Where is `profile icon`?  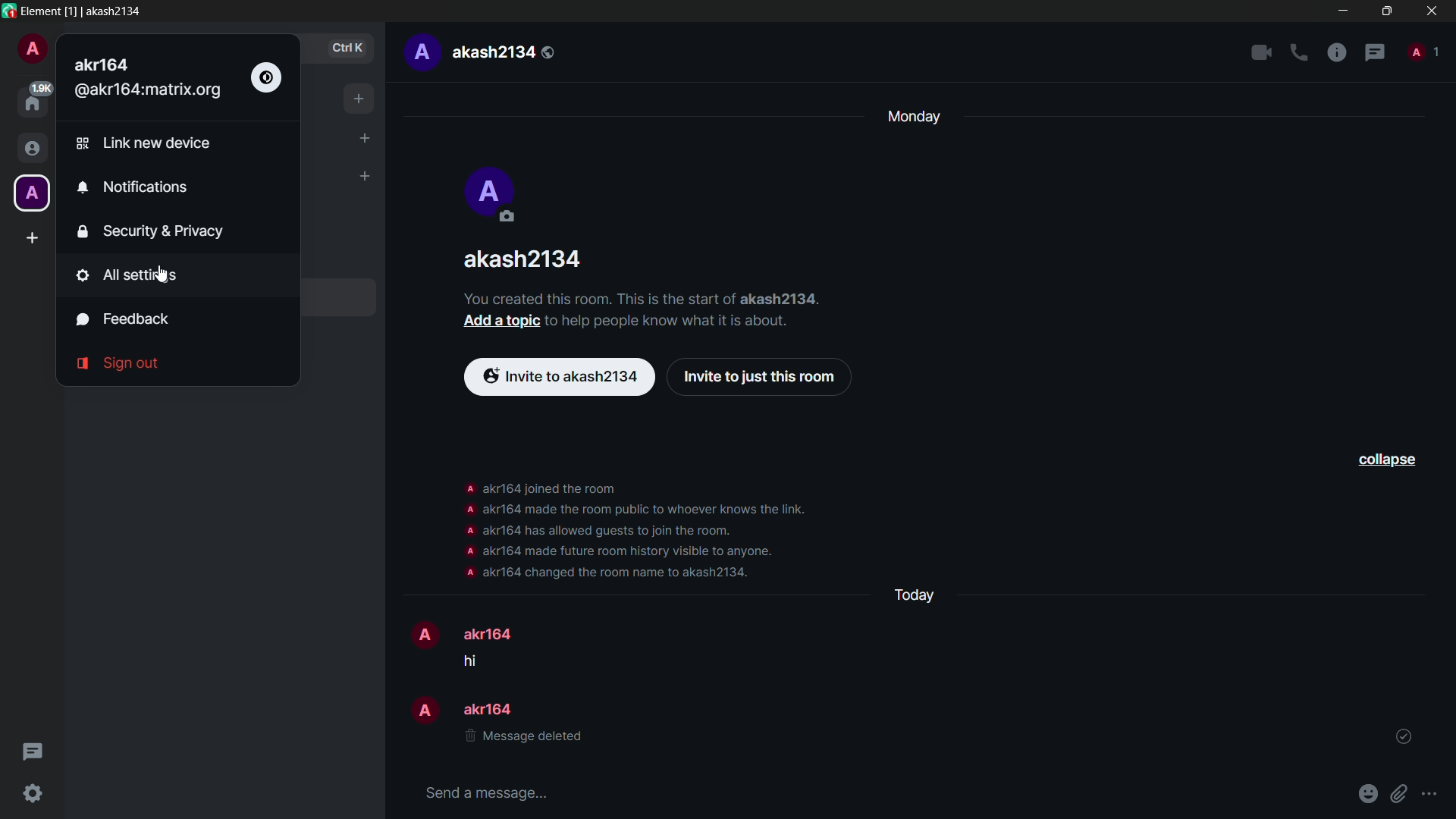
profile icon is located at coordinates (30, 193).